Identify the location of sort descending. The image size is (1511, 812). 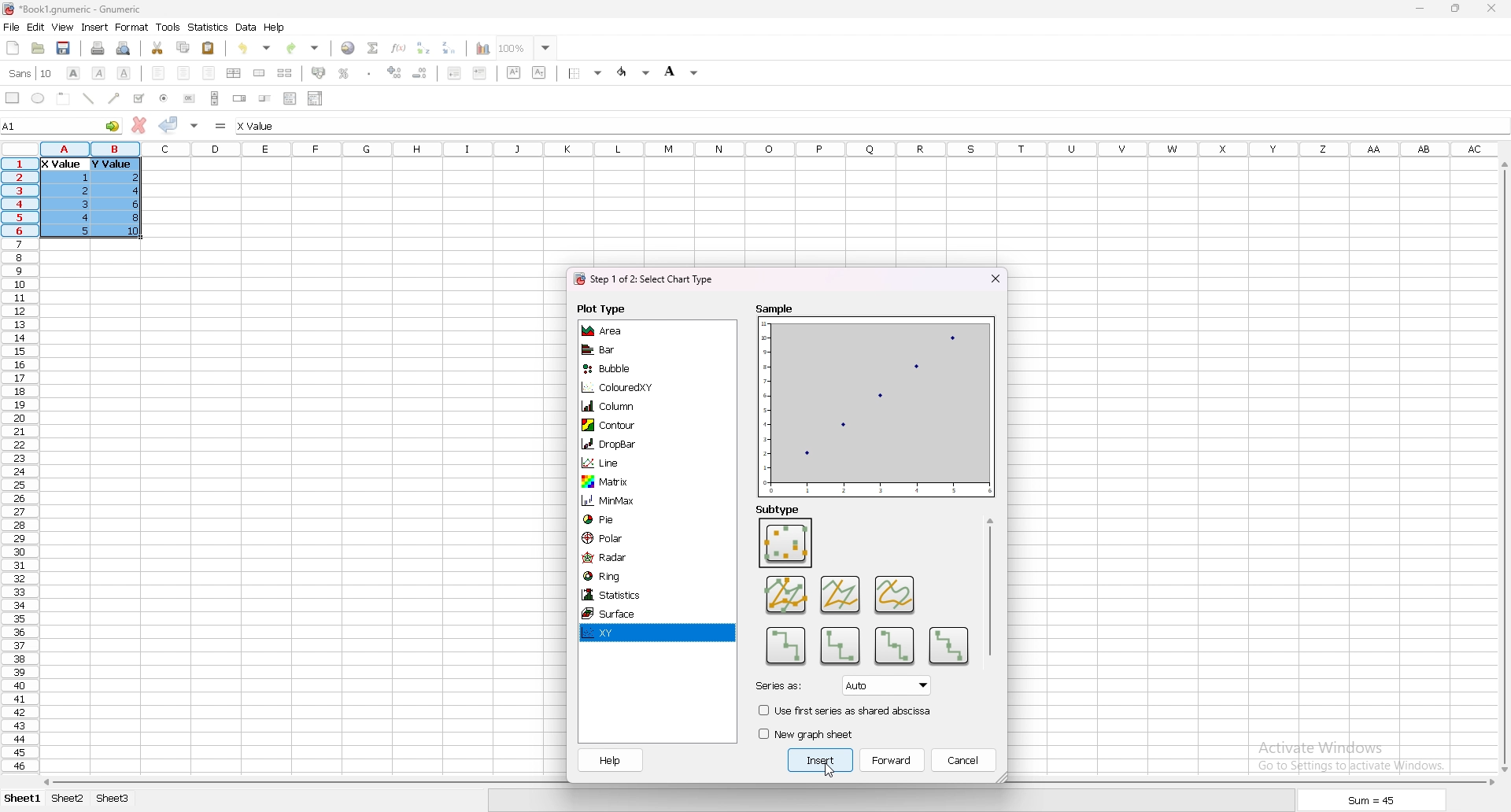
(449, 47).